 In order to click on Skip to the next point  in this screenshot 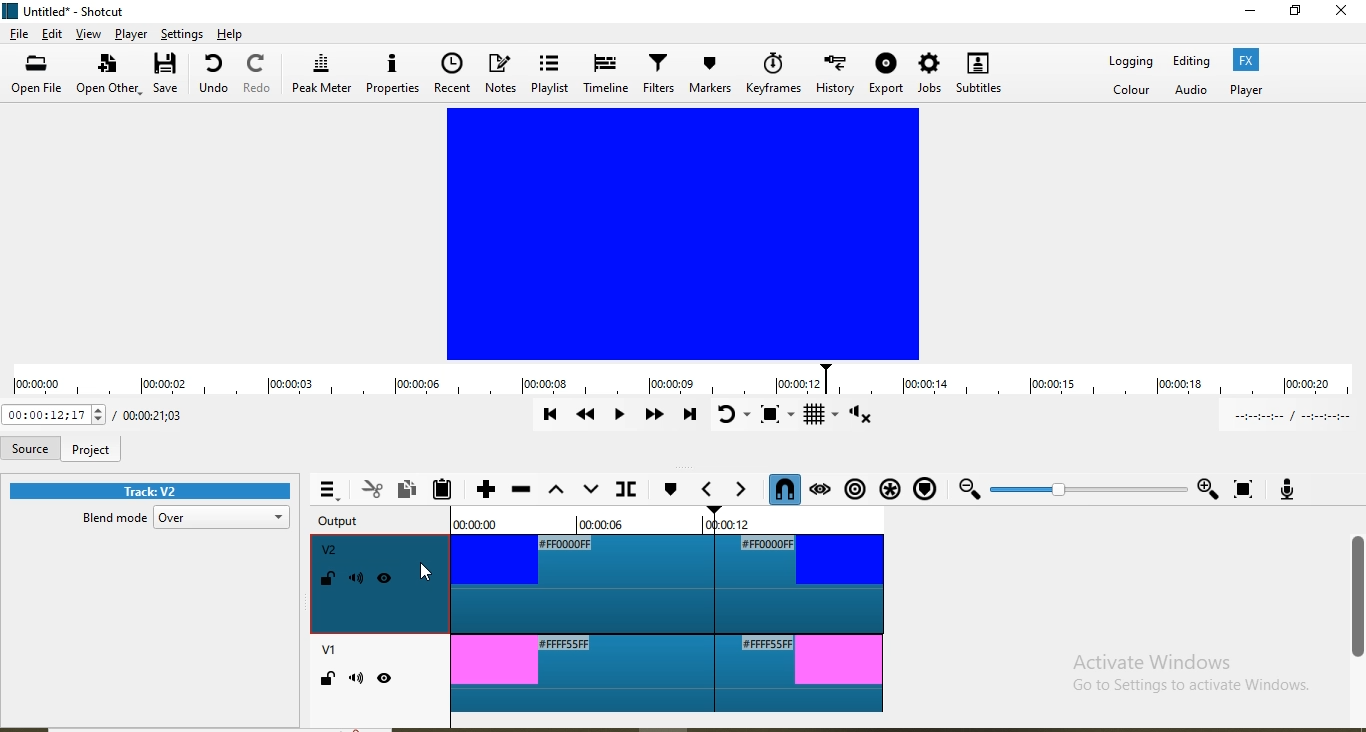, I will do `click(687, 416)`.